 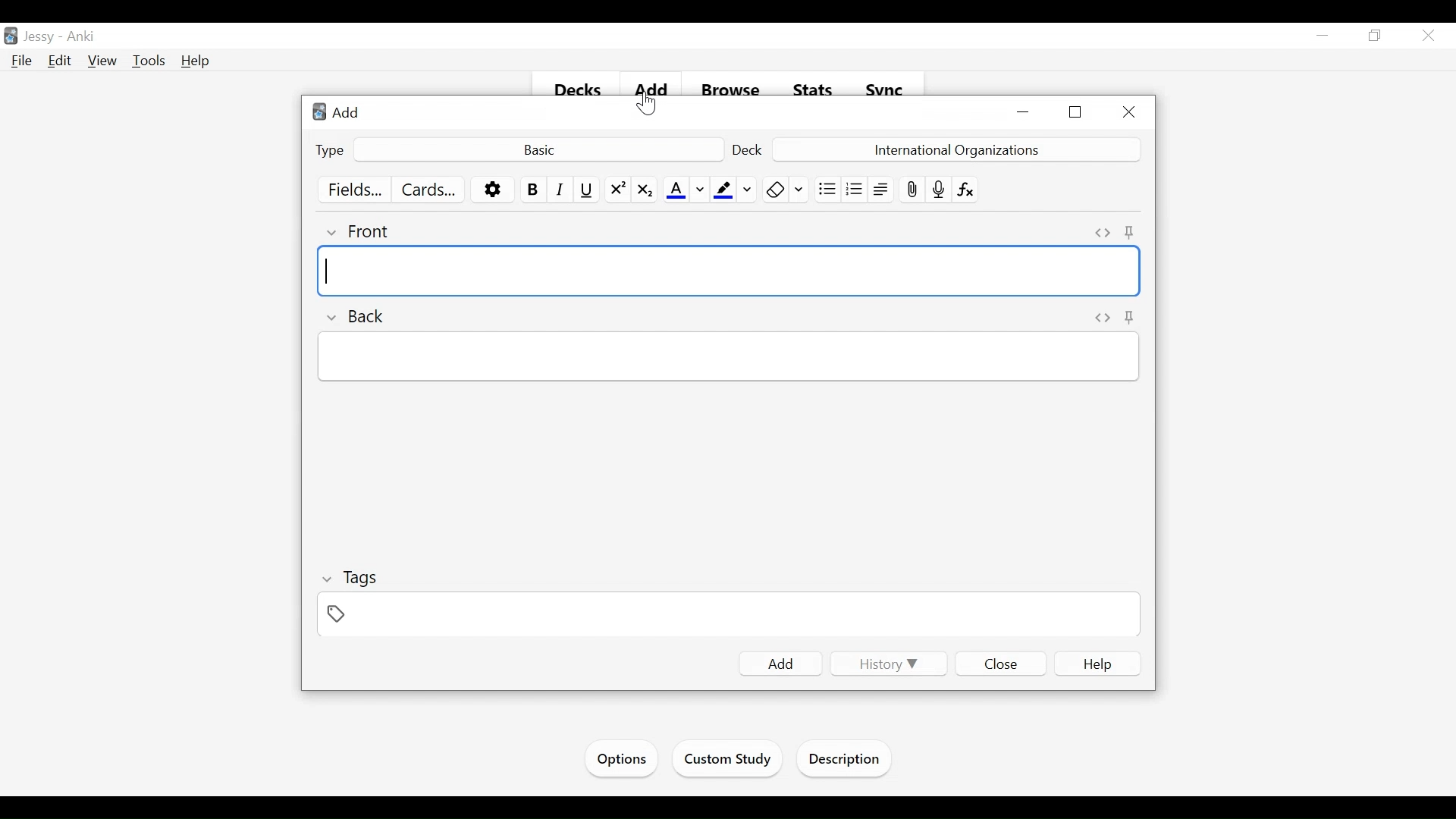 I want to click on typing cursor, so click(x=330, y=271).